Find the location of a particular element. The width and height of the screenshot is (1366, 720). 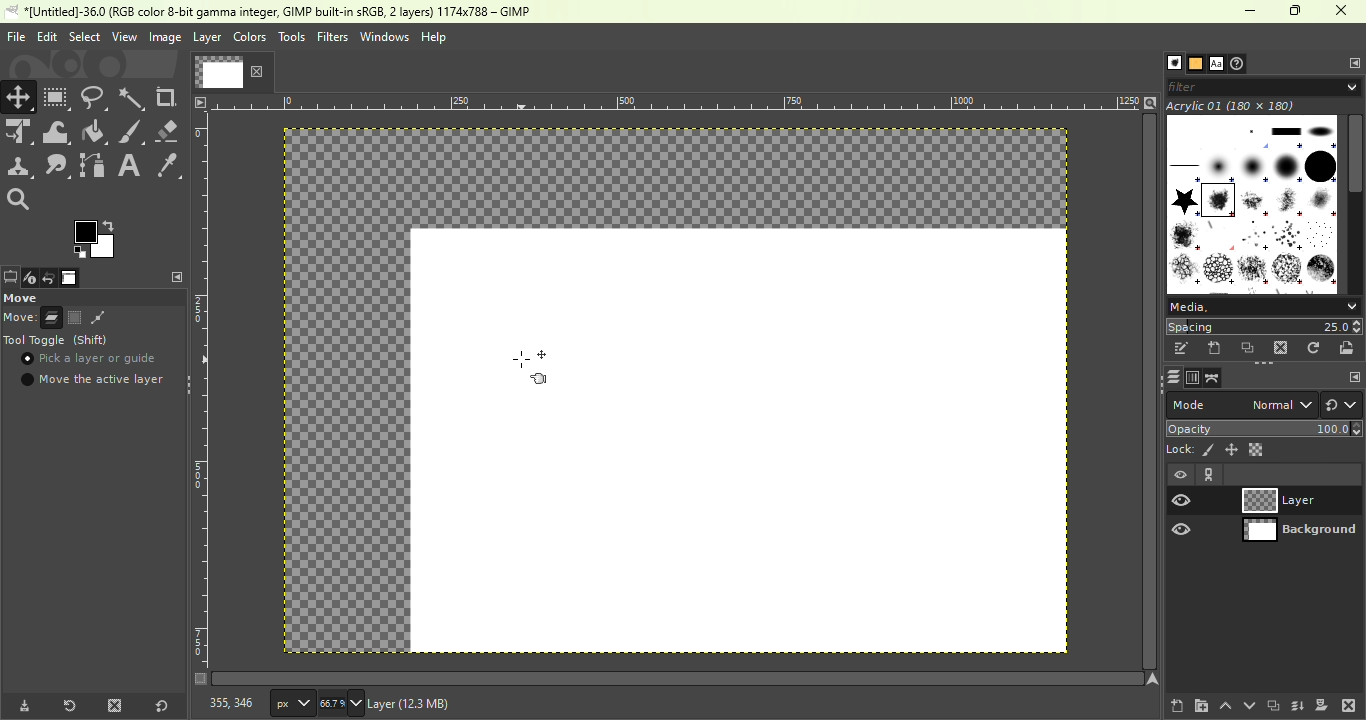

Zoom image is located at coordinates (1150, 101).